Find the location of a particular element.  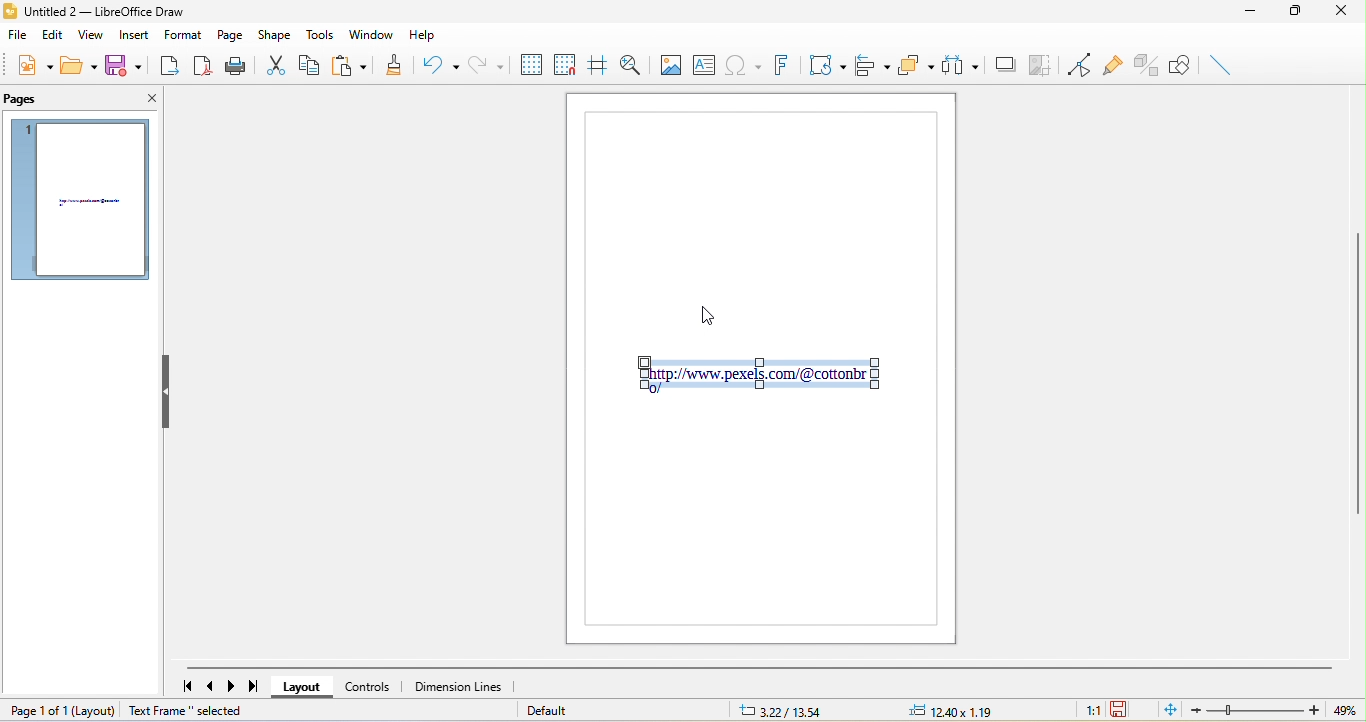

cut is located at coordinates (272, 65).